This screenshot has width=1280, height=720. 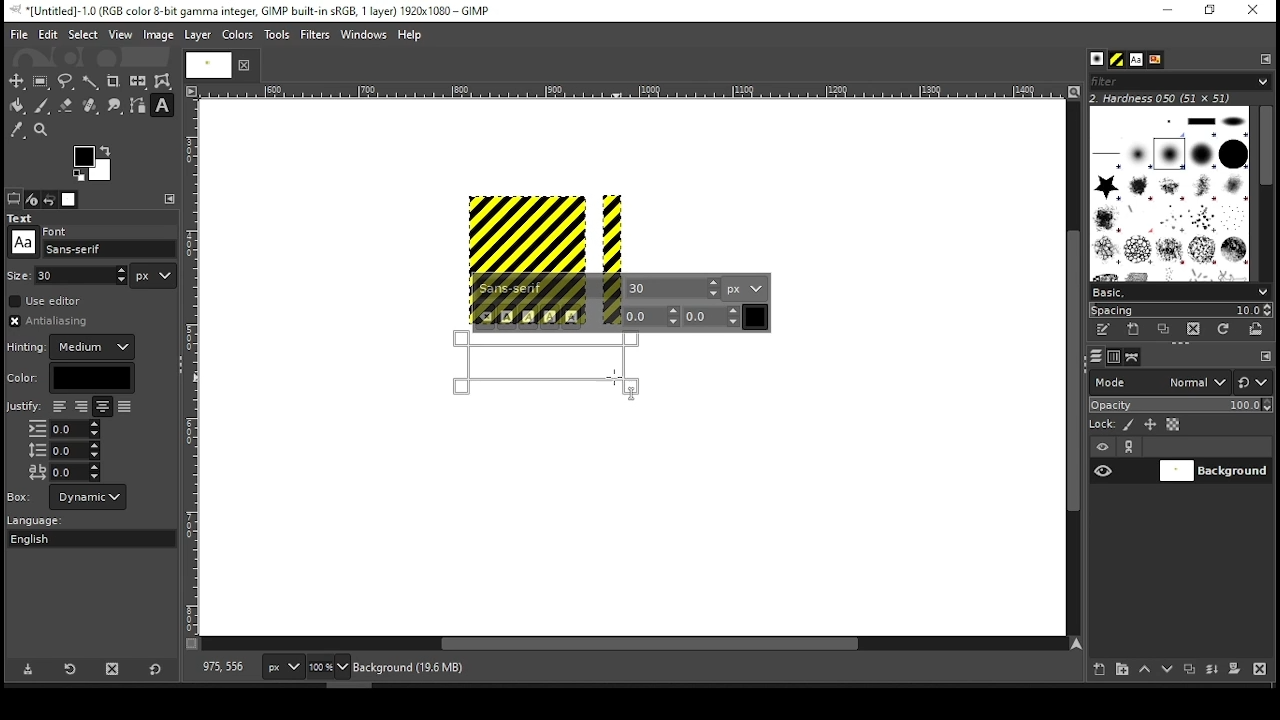 I want to click on scroll bar, so click(x=1071, y=367).